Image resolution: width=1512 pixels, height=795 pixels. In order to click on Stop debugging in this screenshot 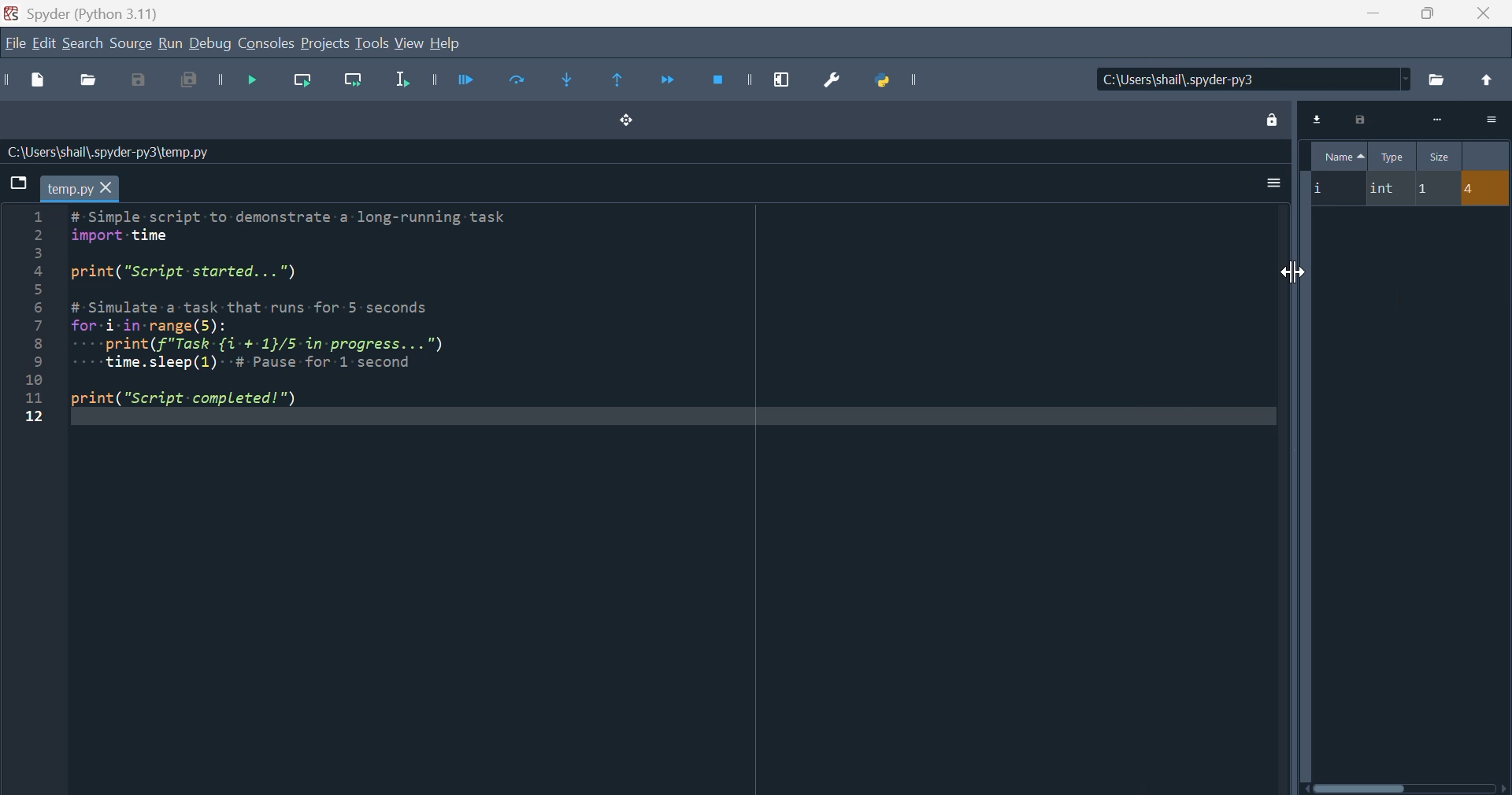, I will do `click(728, 80)`.